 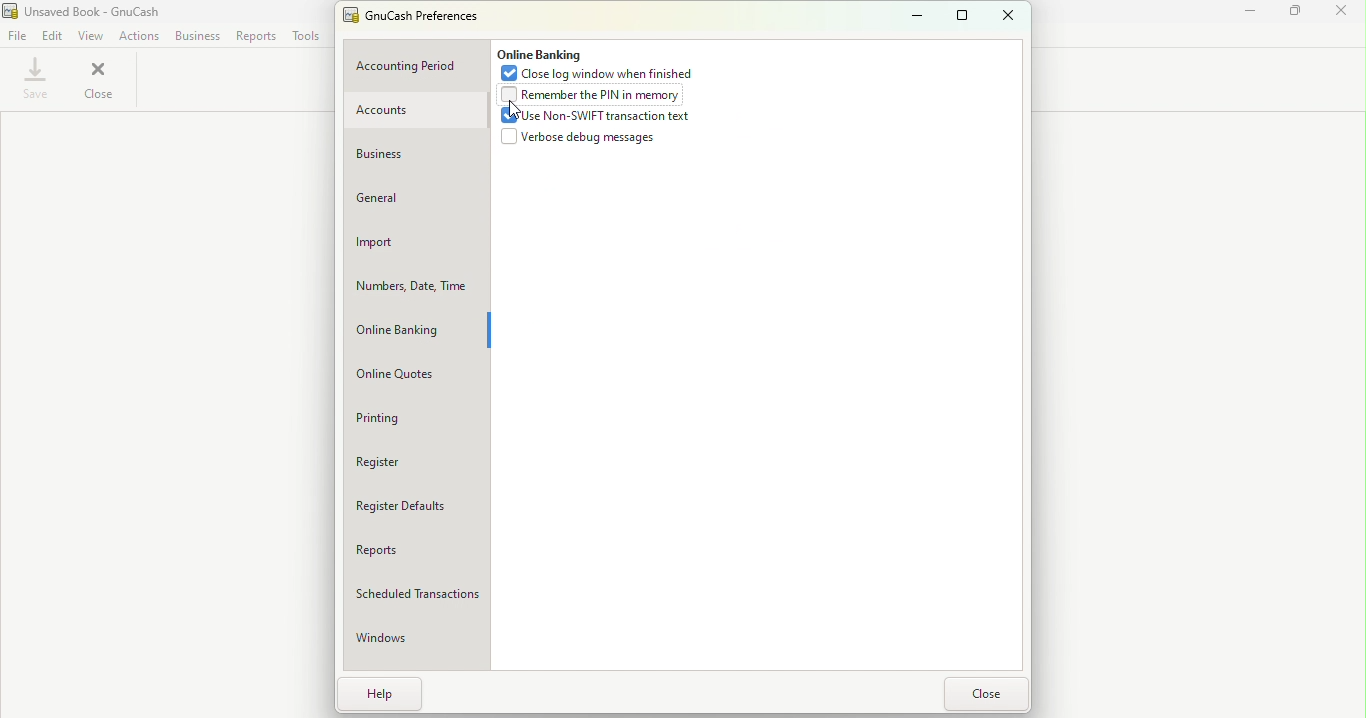 I want to click on Reports, so click(x=256, y=39).